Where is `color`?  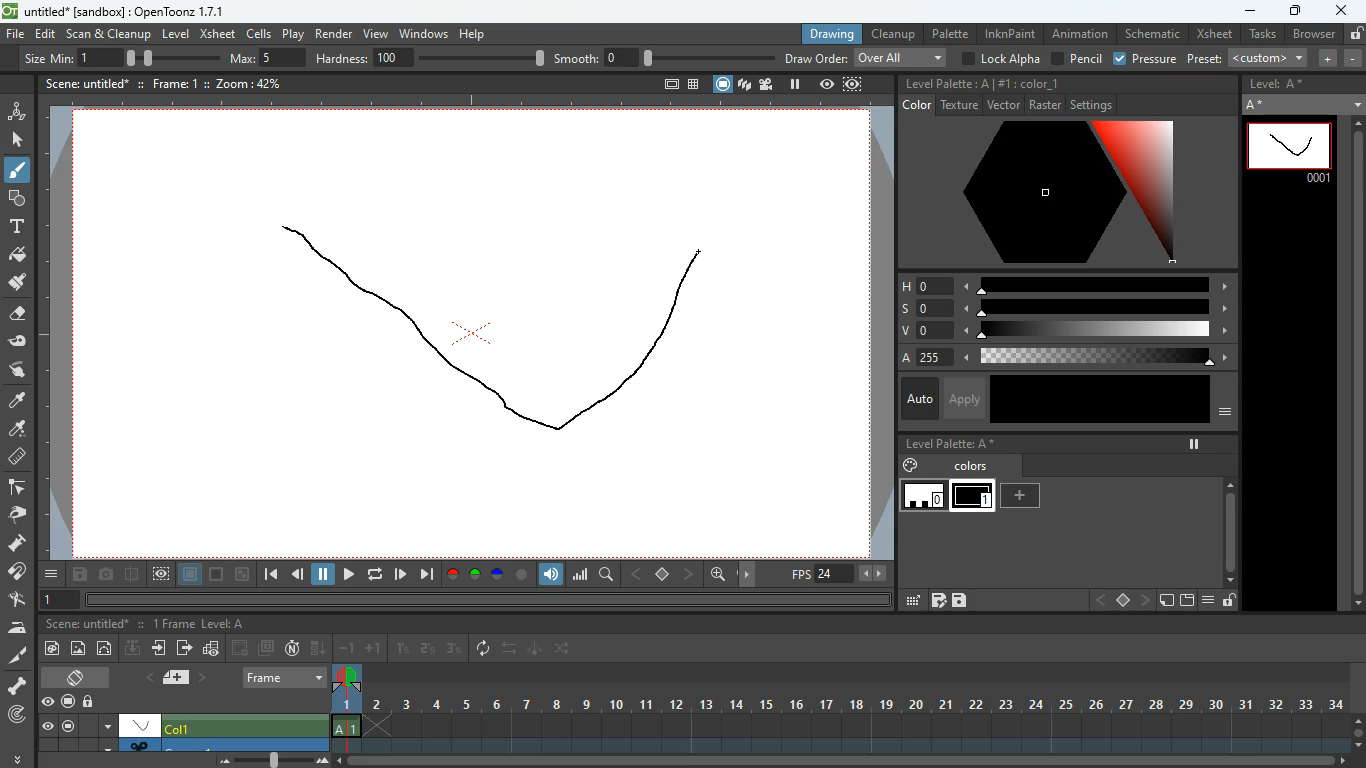
color is located at coordinates (917, 105).